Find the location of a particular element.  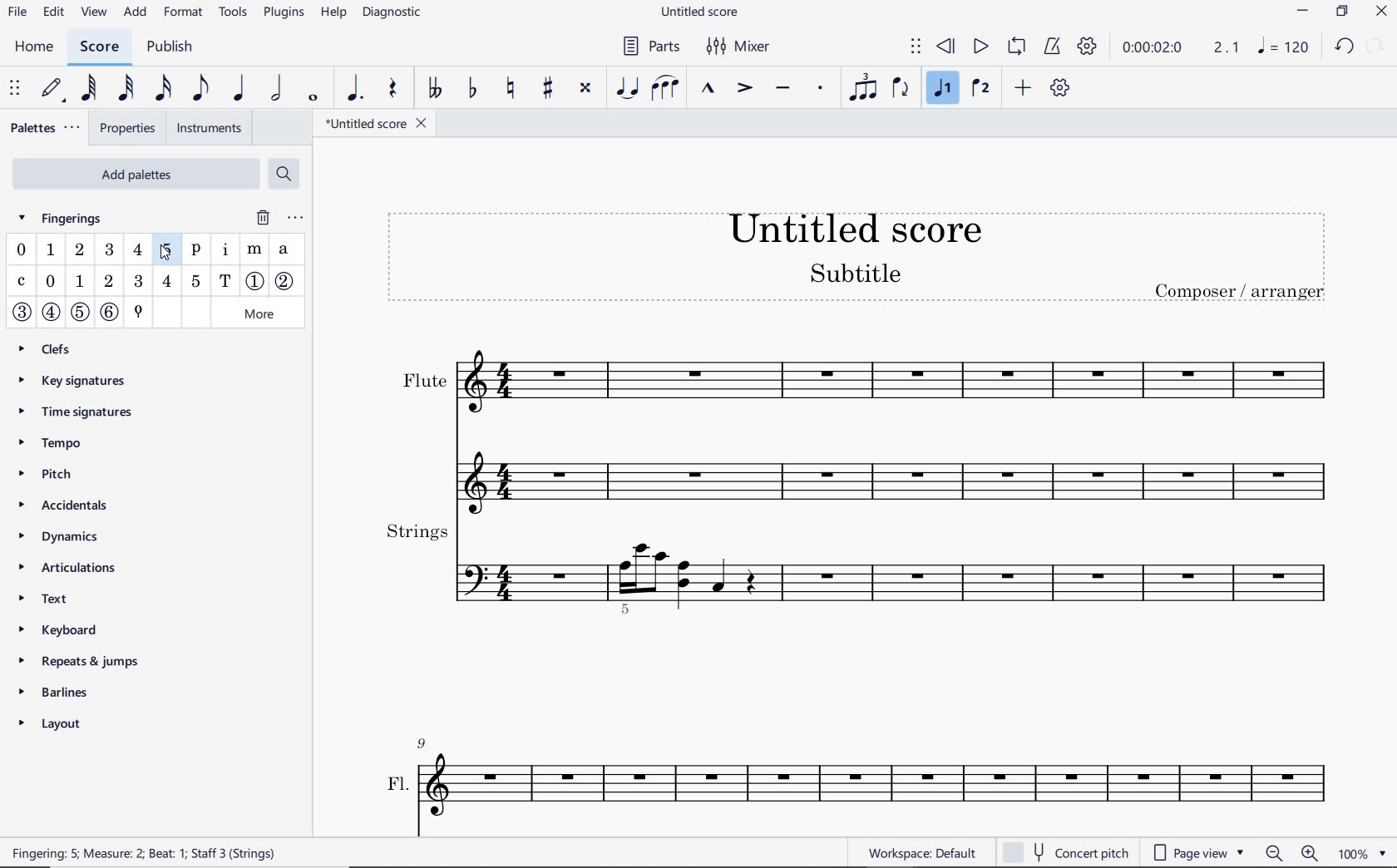

FINGERINGS ADDED TO STRINGS INSTRUMENT is located at coordinates (630, 616).